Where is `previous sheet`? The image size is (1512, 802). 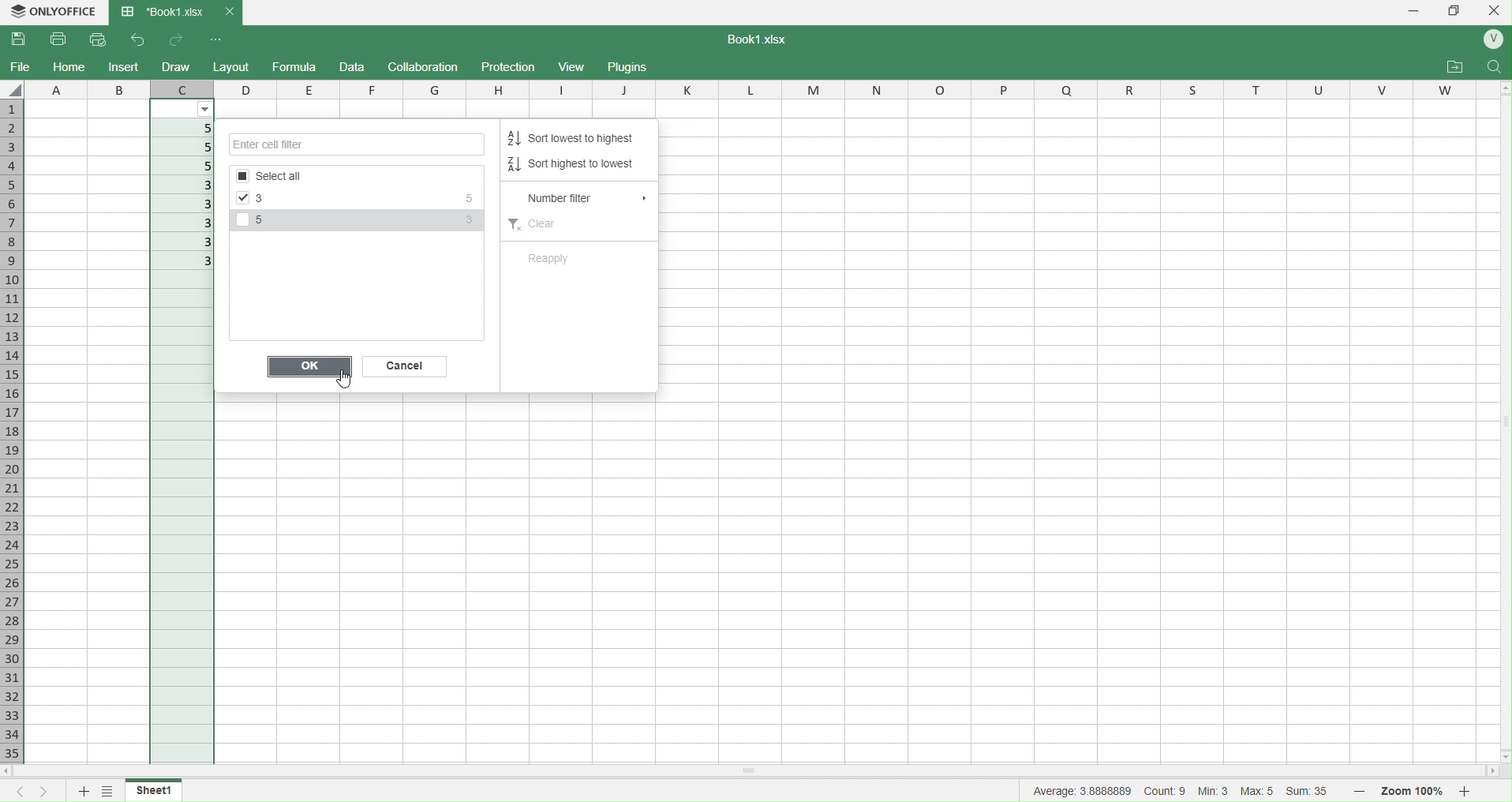 previous sheet is located at coordinates (23, 793).